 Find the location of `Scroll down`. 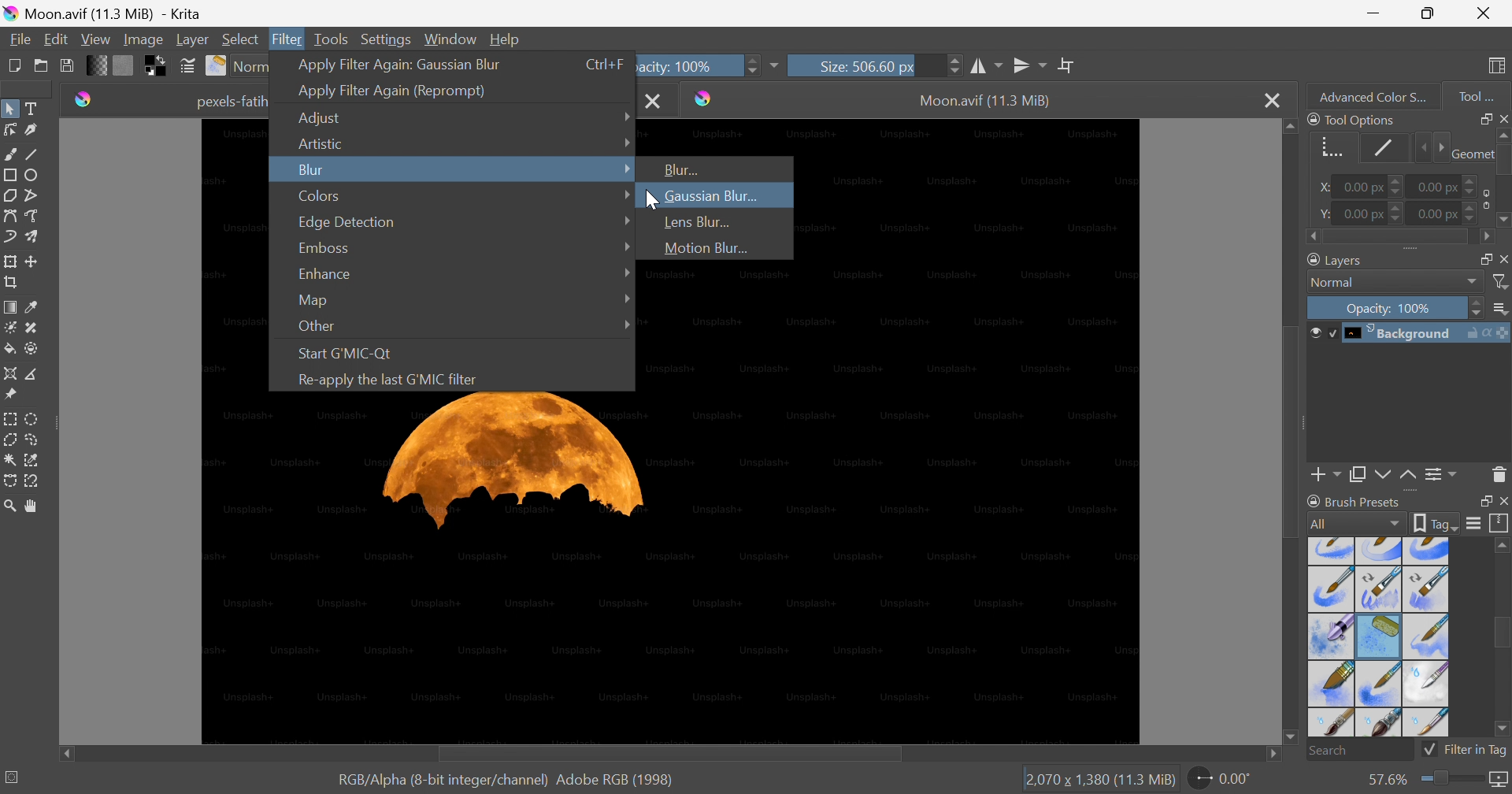

Scroll down is located at coordinates (1503, 222).